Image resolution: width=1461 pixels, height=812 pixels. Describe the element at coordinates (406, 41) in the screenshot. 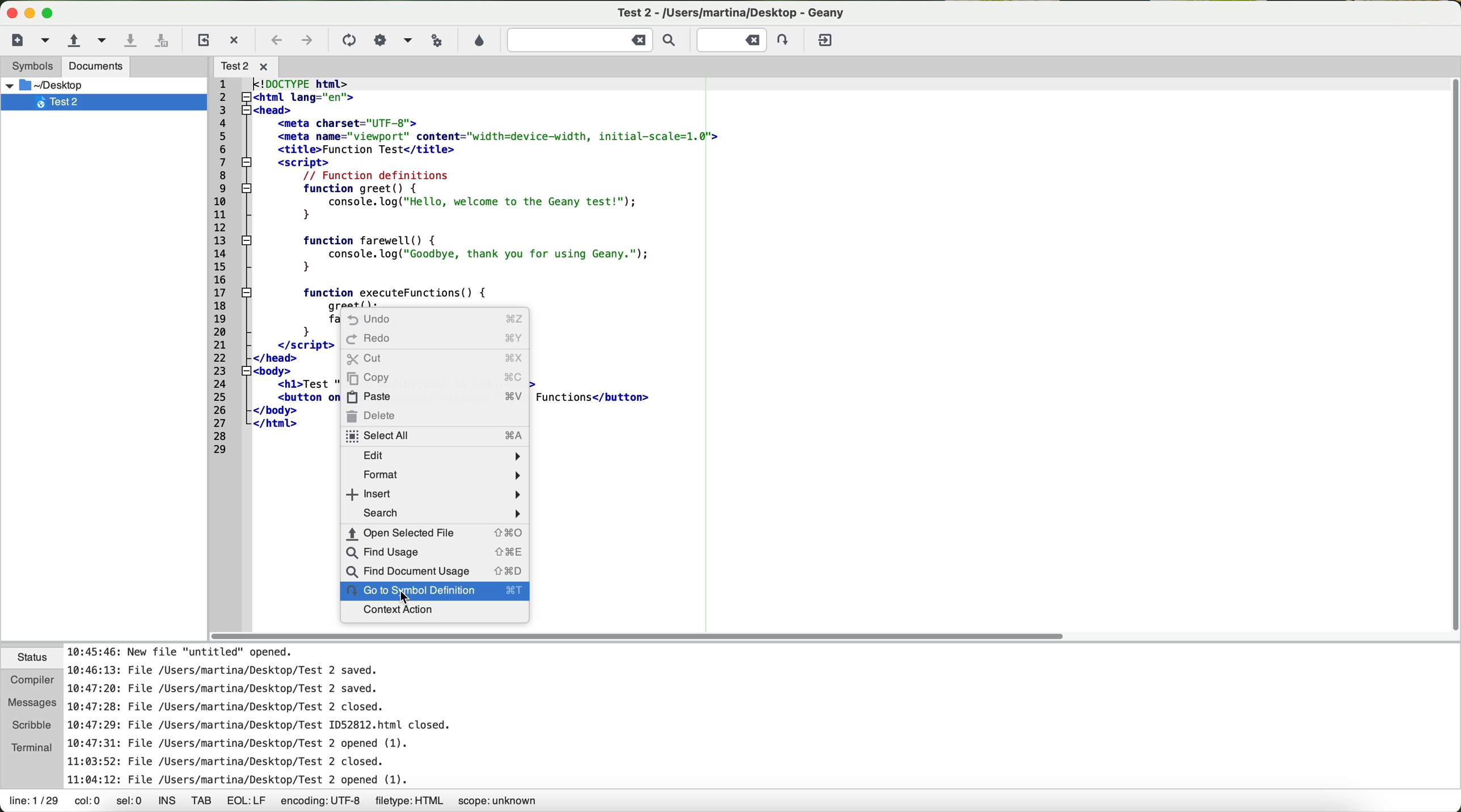

I see `icon` at that location.